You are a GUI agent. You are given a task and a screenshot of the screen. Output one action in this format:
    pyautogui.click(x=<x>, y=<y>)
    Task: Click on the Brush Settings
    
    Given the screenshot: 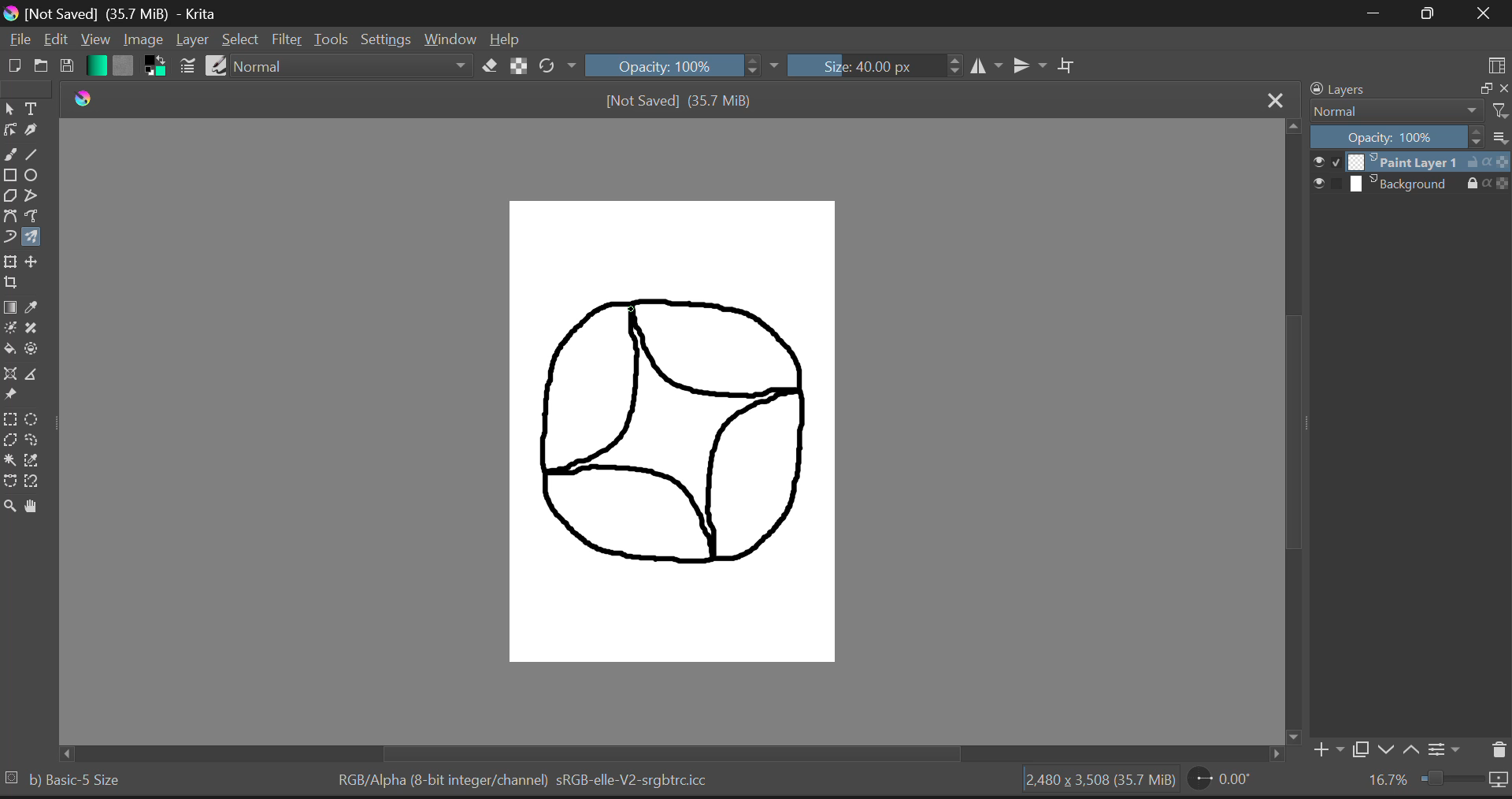 What is the action you would take?
    pyautogui.click(x=187, y=65)
    